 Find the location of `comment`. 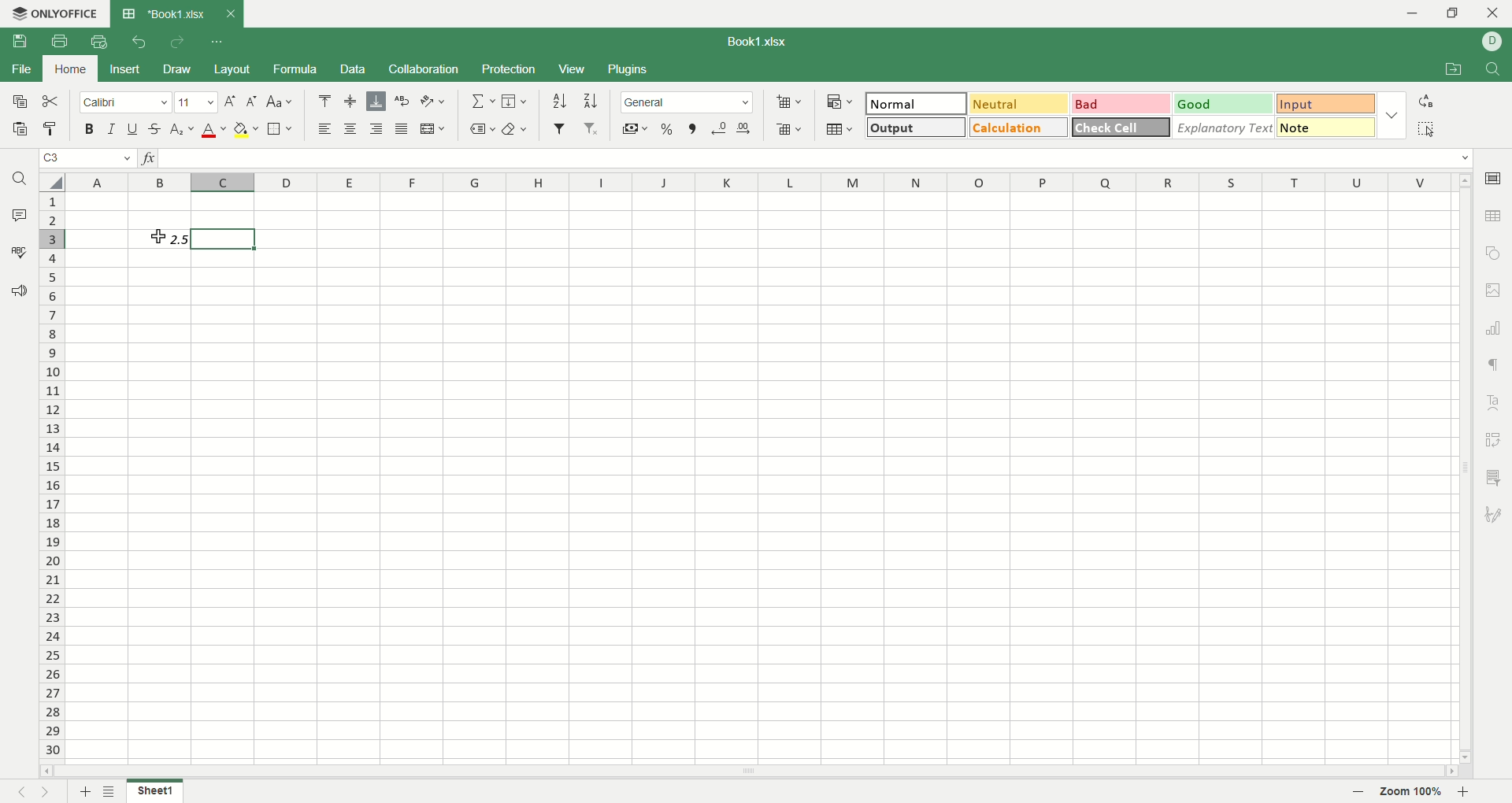

comment is located at coordinates (15, 213).